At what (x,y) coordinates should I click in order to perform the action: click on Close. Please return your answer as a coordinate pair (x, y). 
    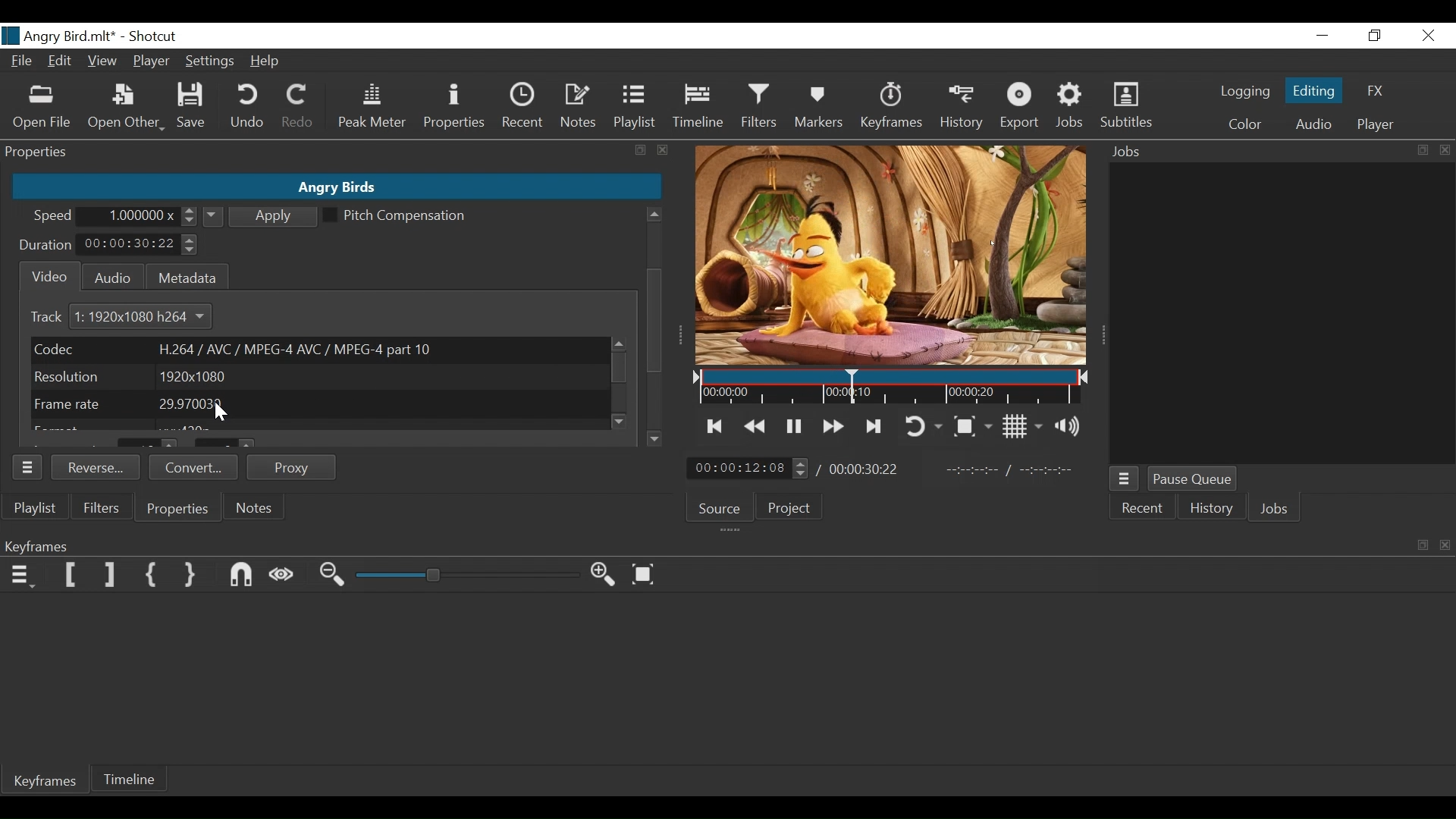
    Looking at the image, I should click on (1426, 36).